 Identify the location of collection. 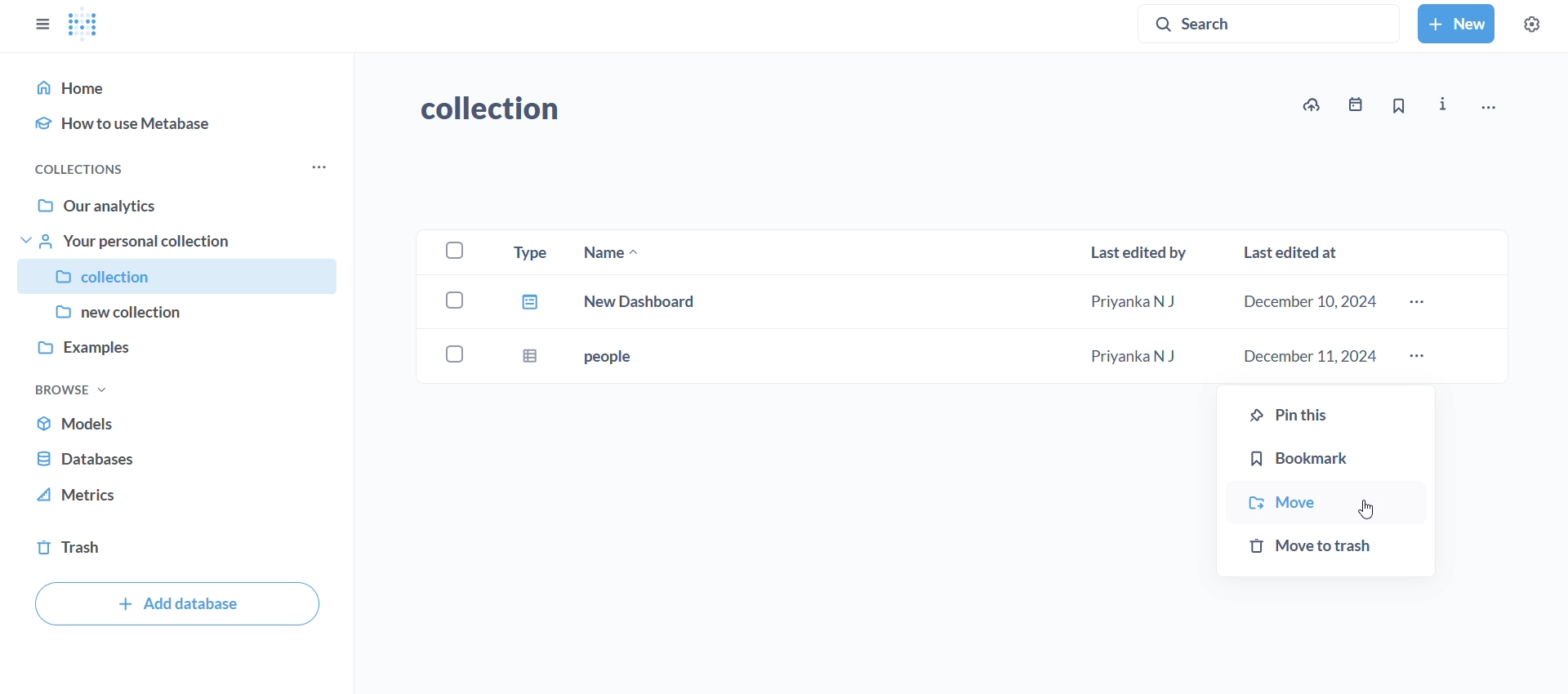
(501, 112).